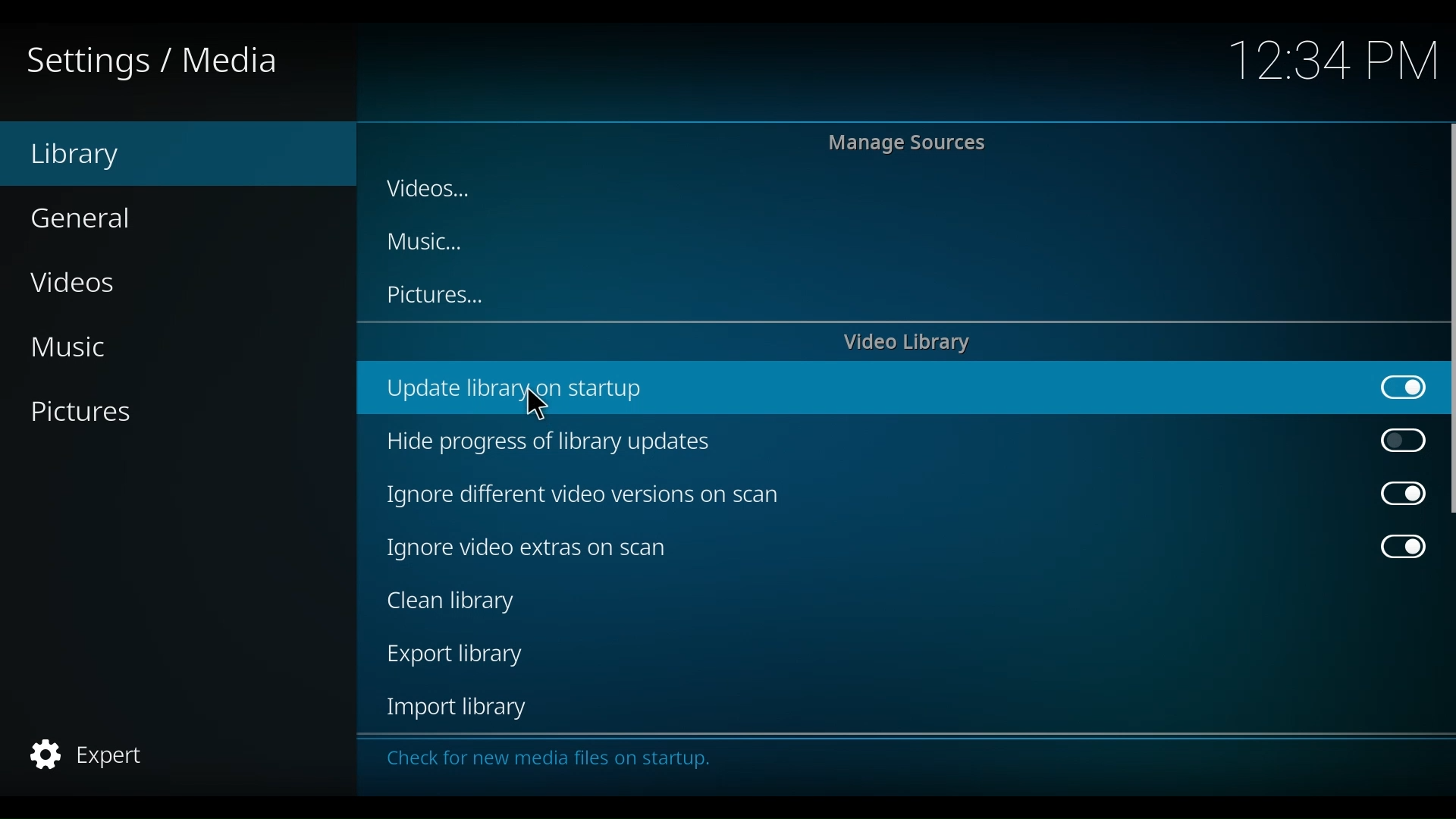 The width and height of the screenshot is (1456, 819). What do you see at coordinates (867, 445) in the screenshot?
I see `Hide progress of library updates` at bounding box center [867, 445].